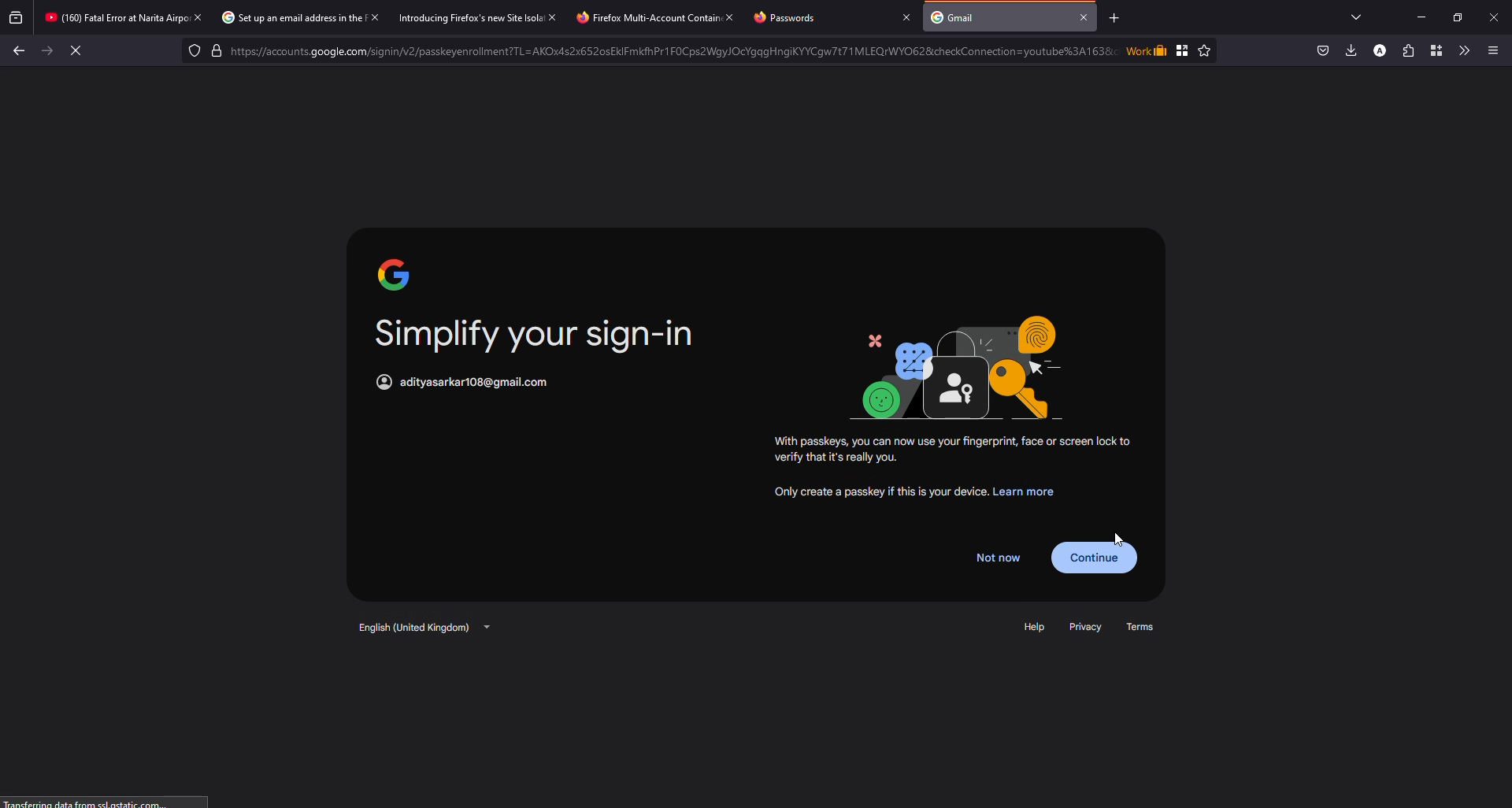  Describe the element at coordinates (729, 17) in the screenshot. I see `close` at that location.